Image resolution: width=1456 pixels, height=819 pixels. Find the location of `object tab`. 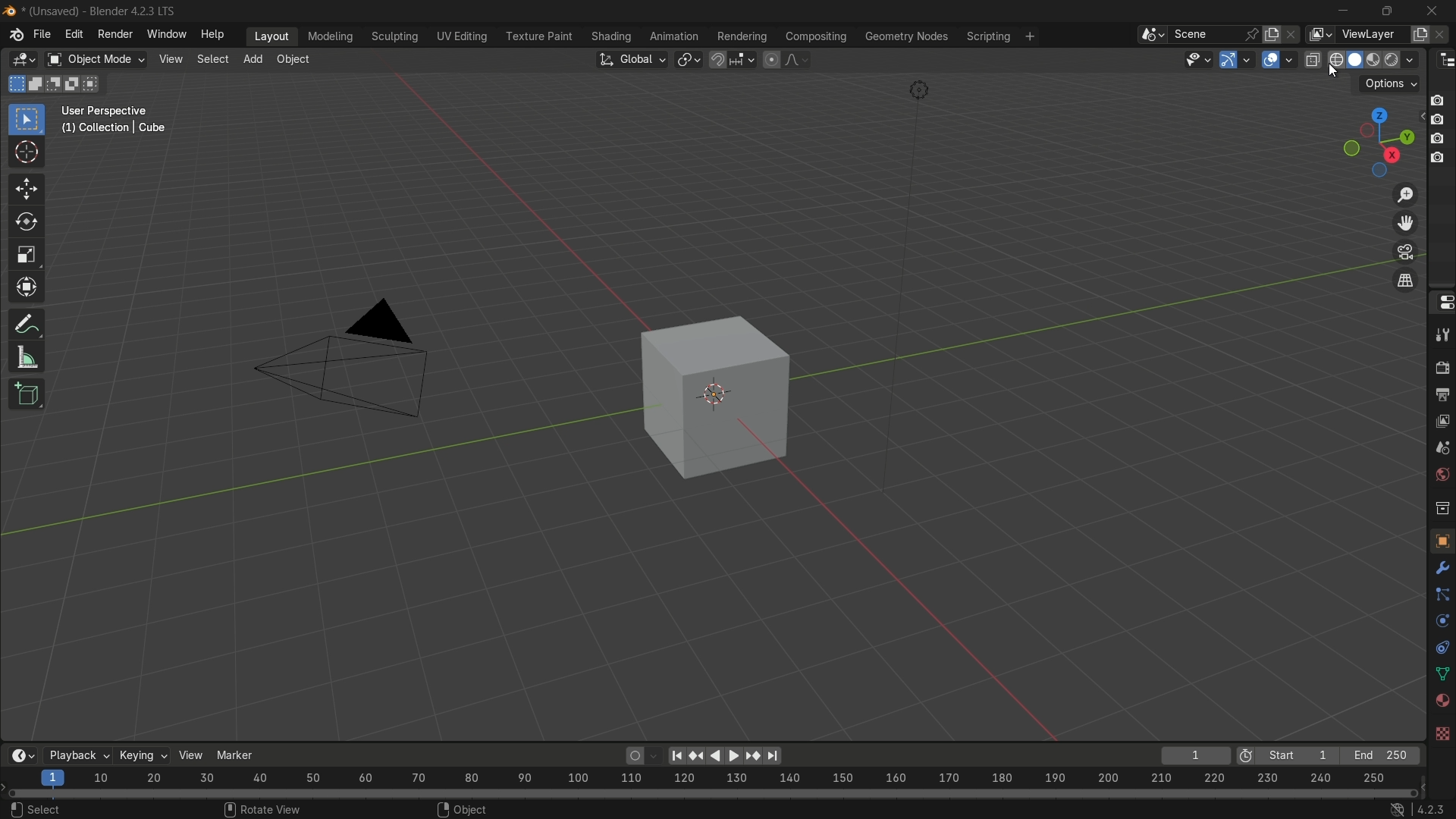

object tab is located at coordinates (297, 58).